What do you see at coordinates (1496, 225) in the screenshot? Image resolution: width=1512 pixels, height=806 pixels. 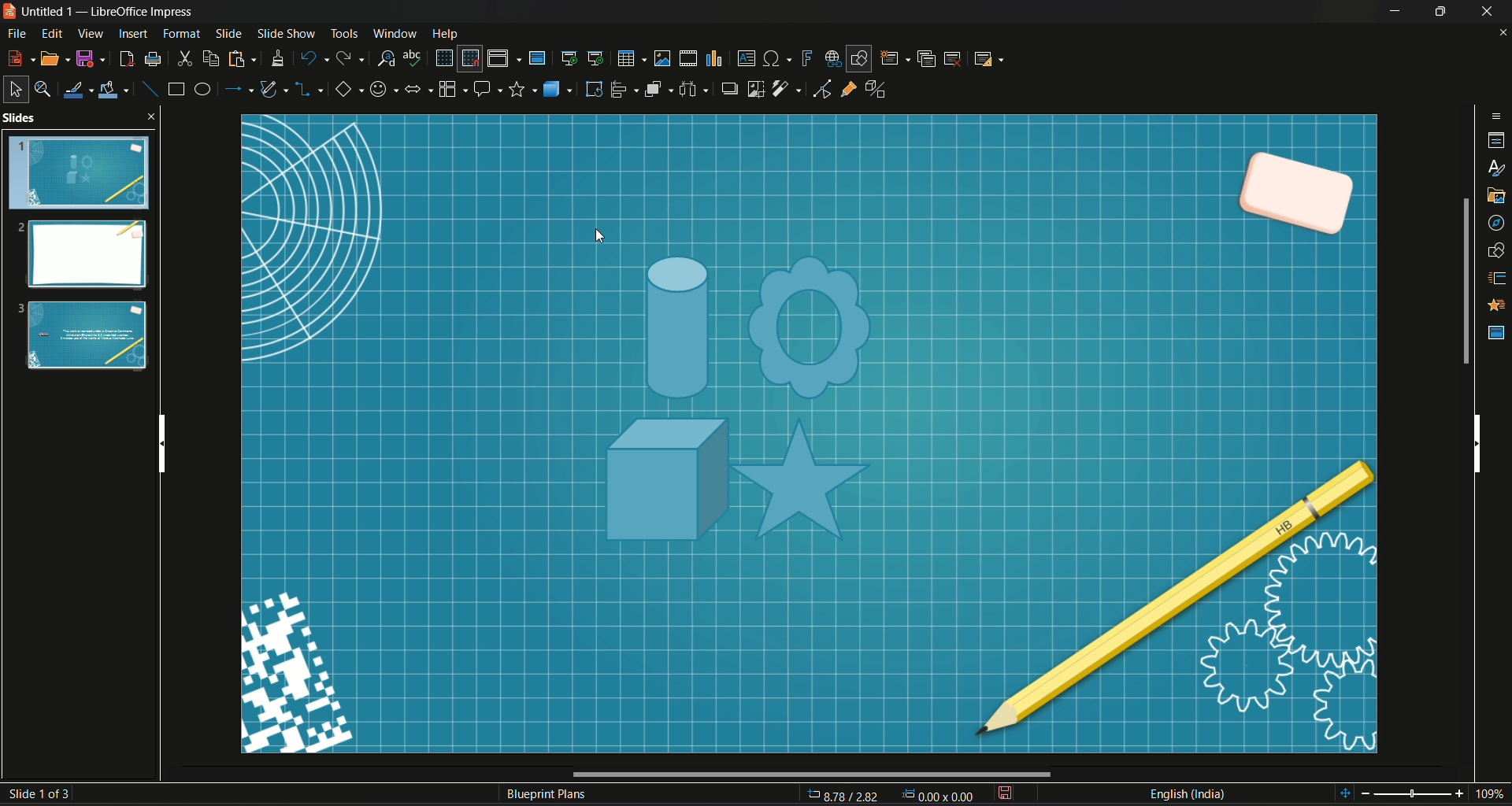 I see `navigator` at bounding box center [1496, 225].